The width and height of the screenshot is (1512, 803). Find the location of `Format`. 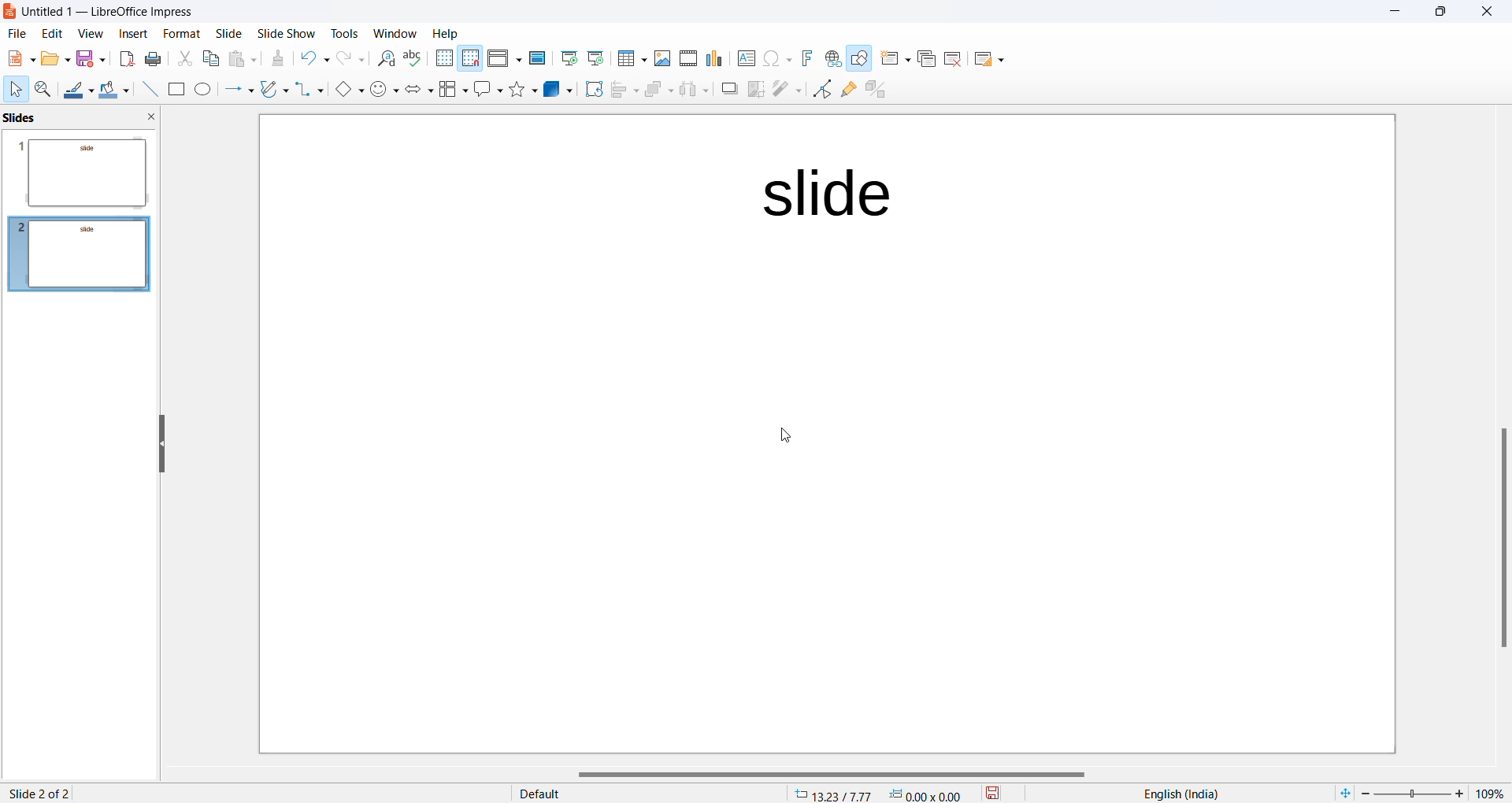

Format is located at coordinates (177, 31).